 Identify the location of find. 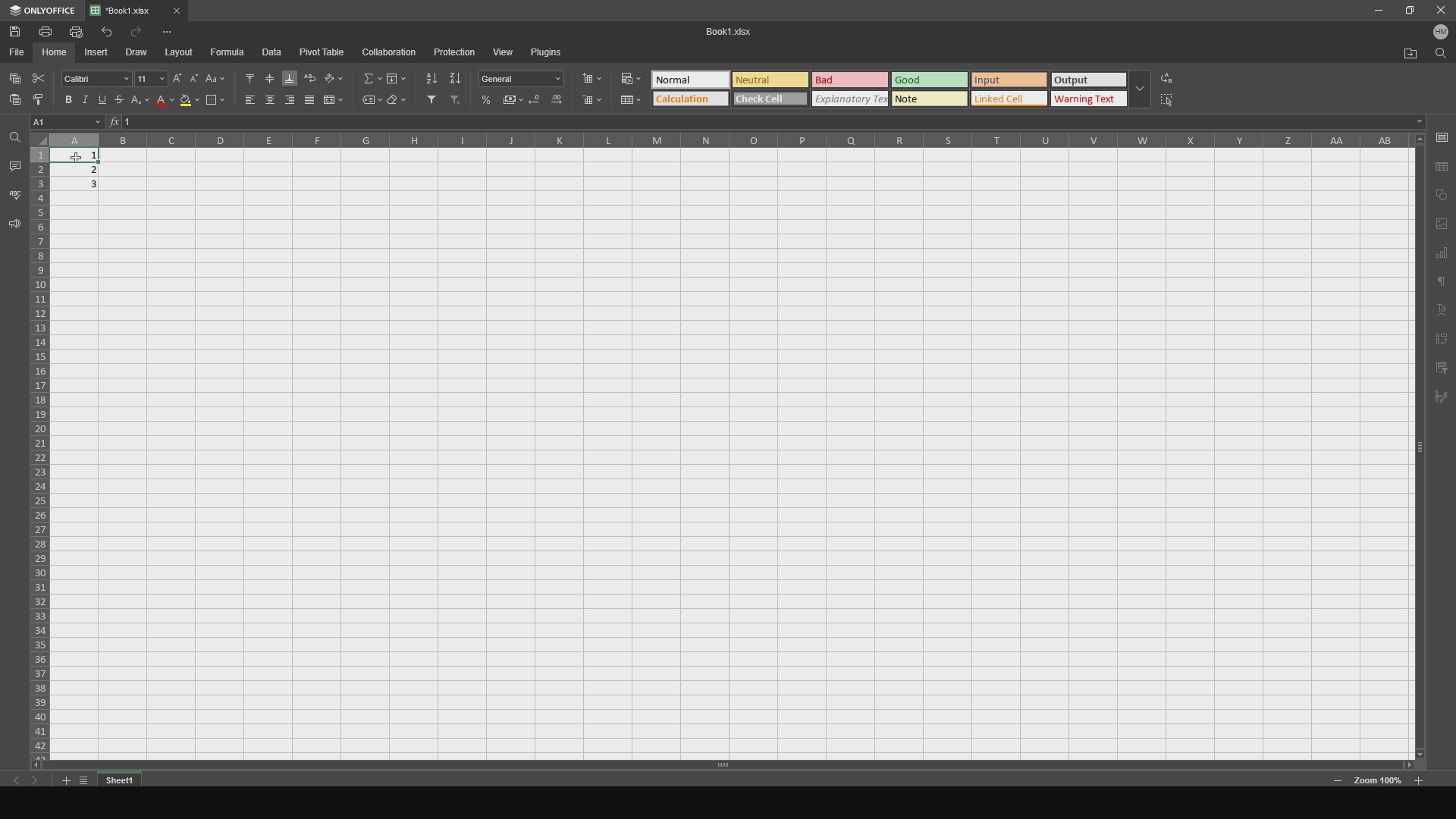
(14, 138).